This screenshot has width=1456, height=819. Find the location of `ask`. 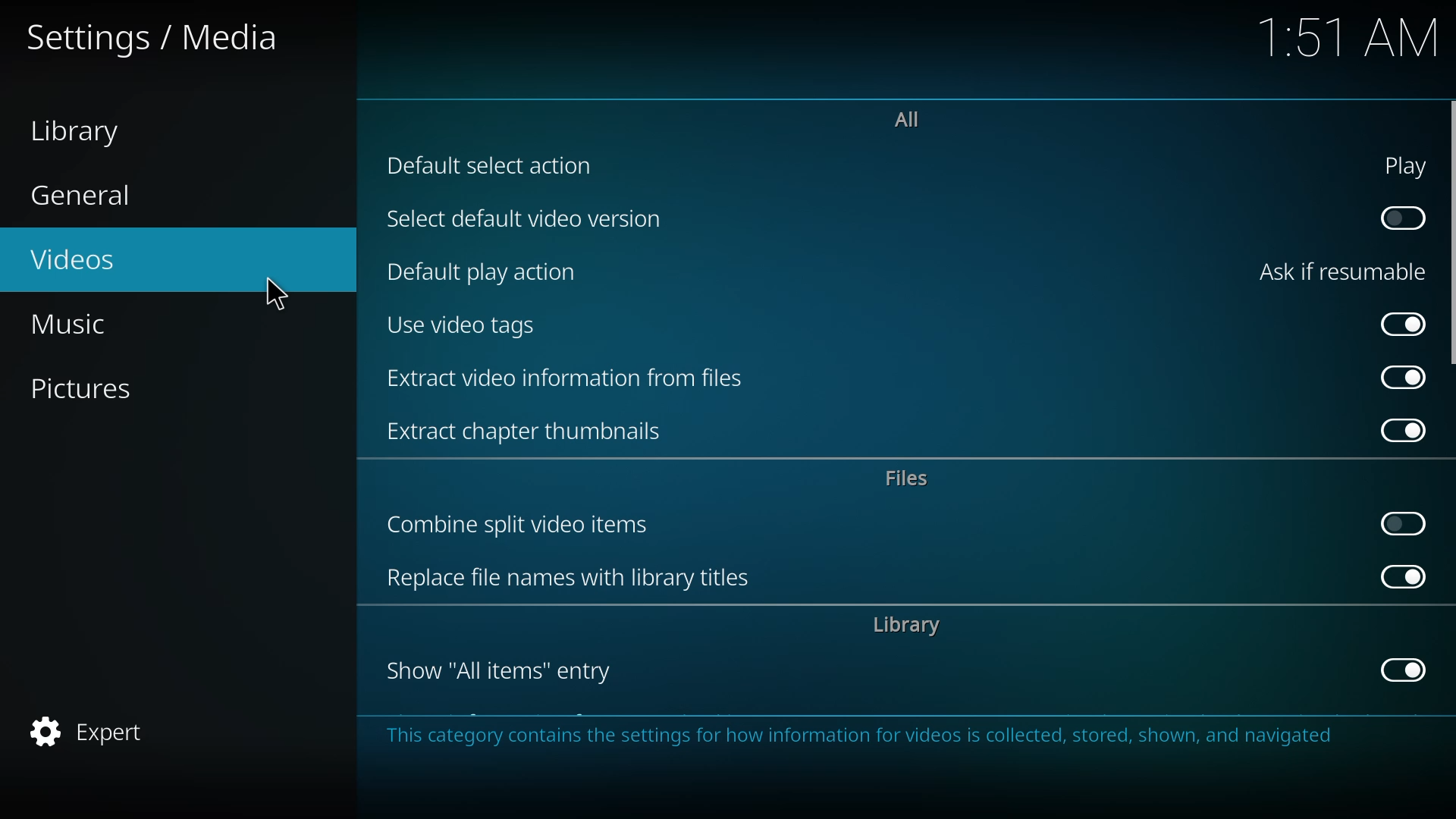

ask is located at coordinates (1336, 272).